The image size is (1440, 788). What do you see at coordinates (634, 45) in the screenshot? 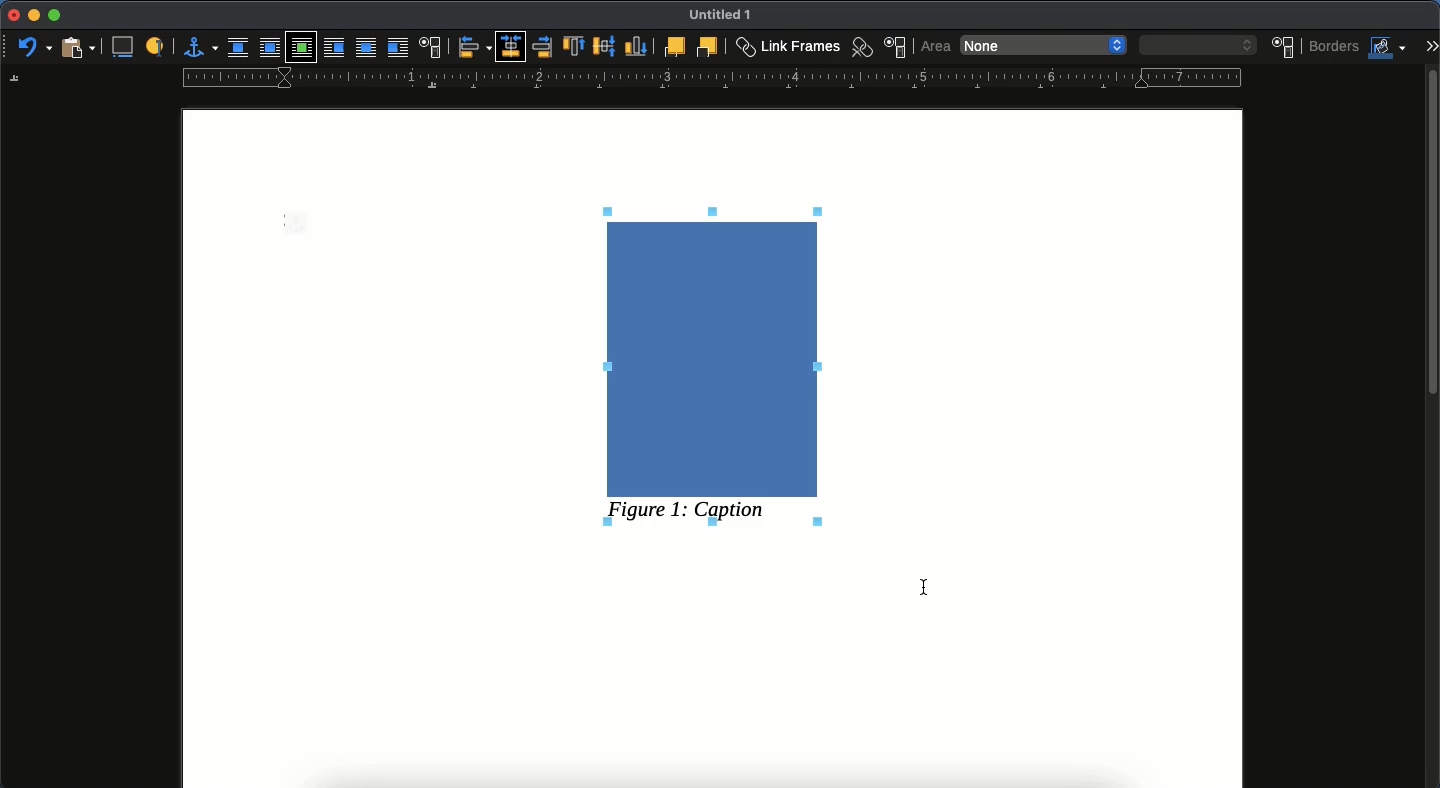
I see `bottom to anchor` at bounding box center [634, 45].